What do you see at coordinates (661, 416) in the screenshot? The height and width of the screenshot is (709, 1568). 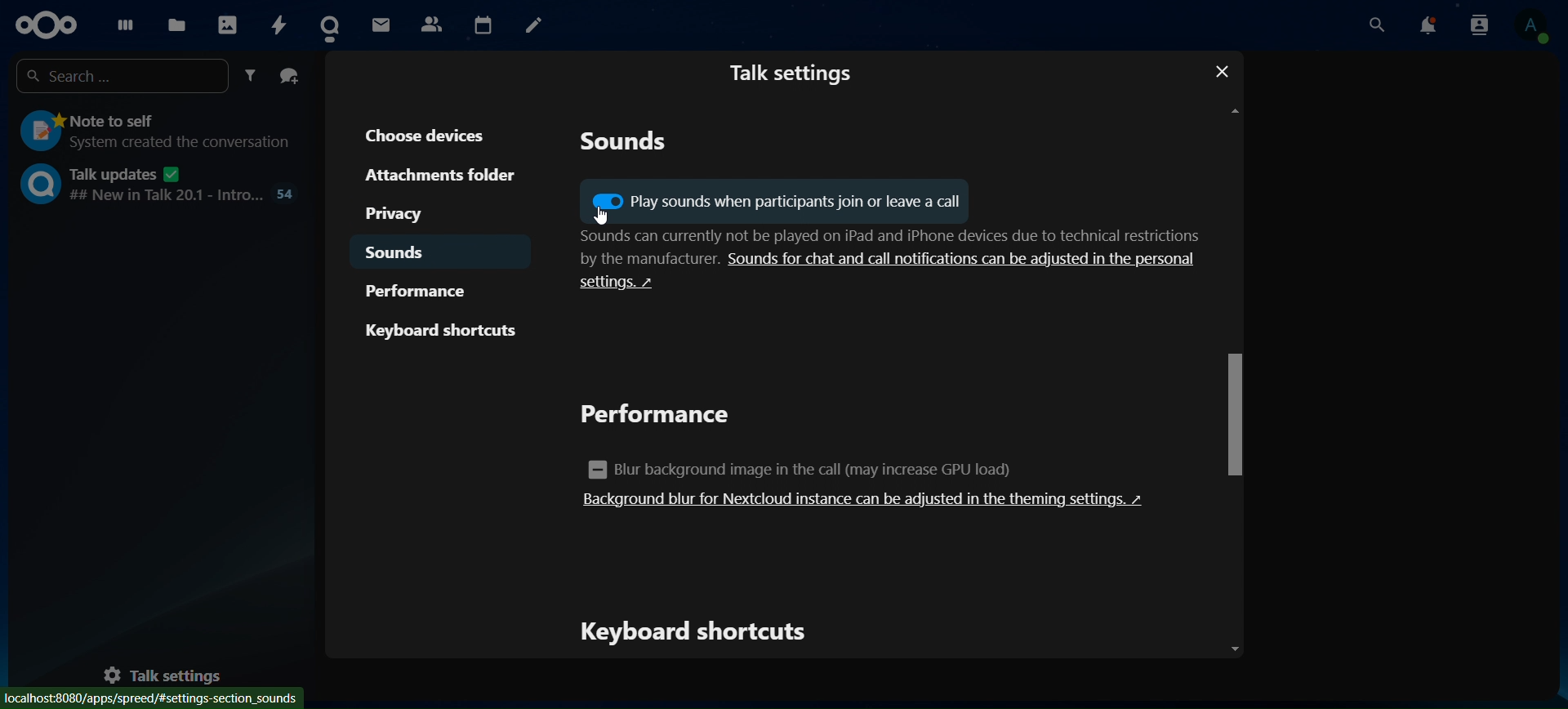 I see `performance` at bounding box center [661, 416].